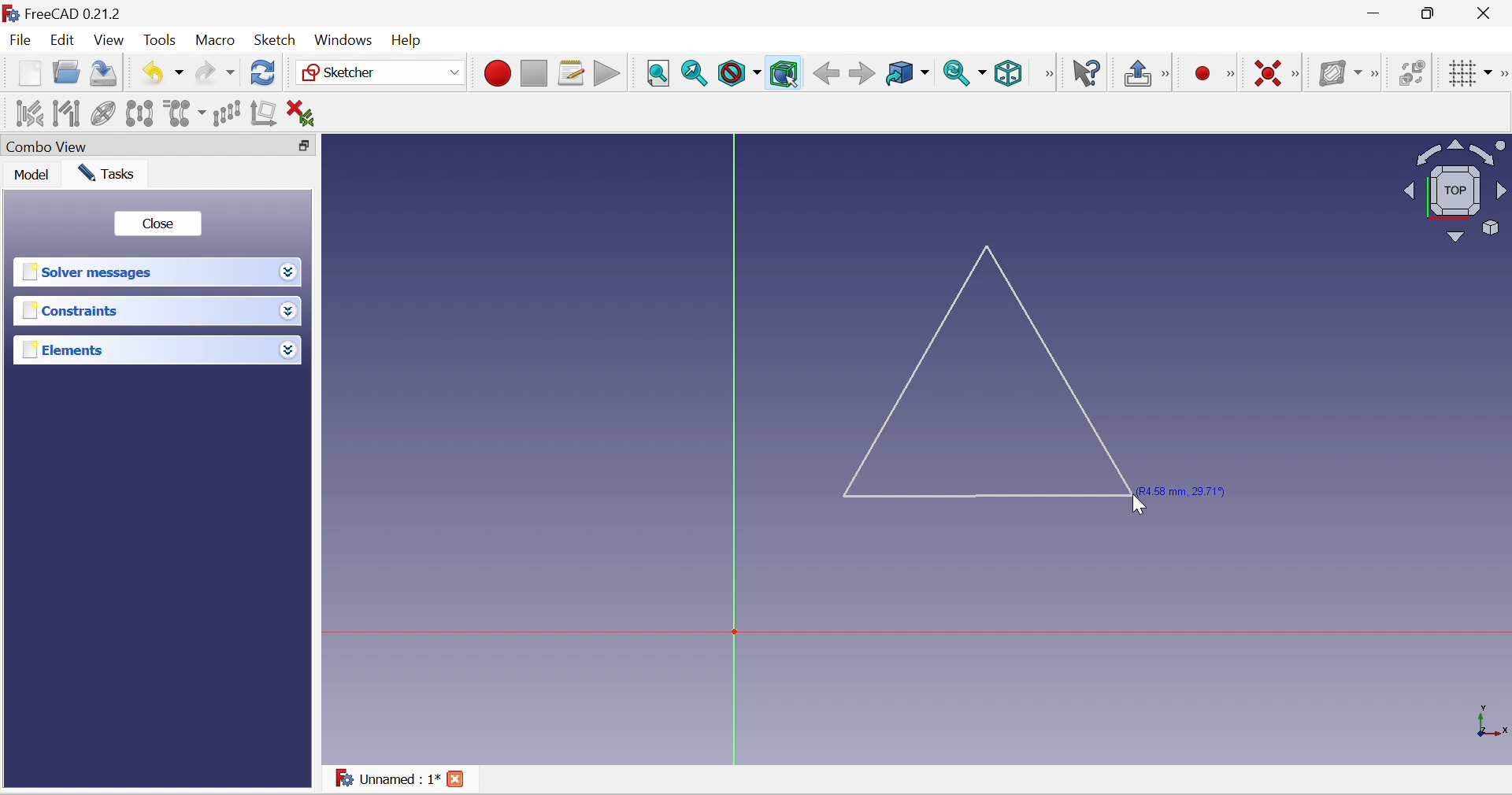 This screenshot has height=795, width=1512. Describe the element at coordinates (1503, 75) in the screenshot. I see `[Sketcher edit tools]` at that location.